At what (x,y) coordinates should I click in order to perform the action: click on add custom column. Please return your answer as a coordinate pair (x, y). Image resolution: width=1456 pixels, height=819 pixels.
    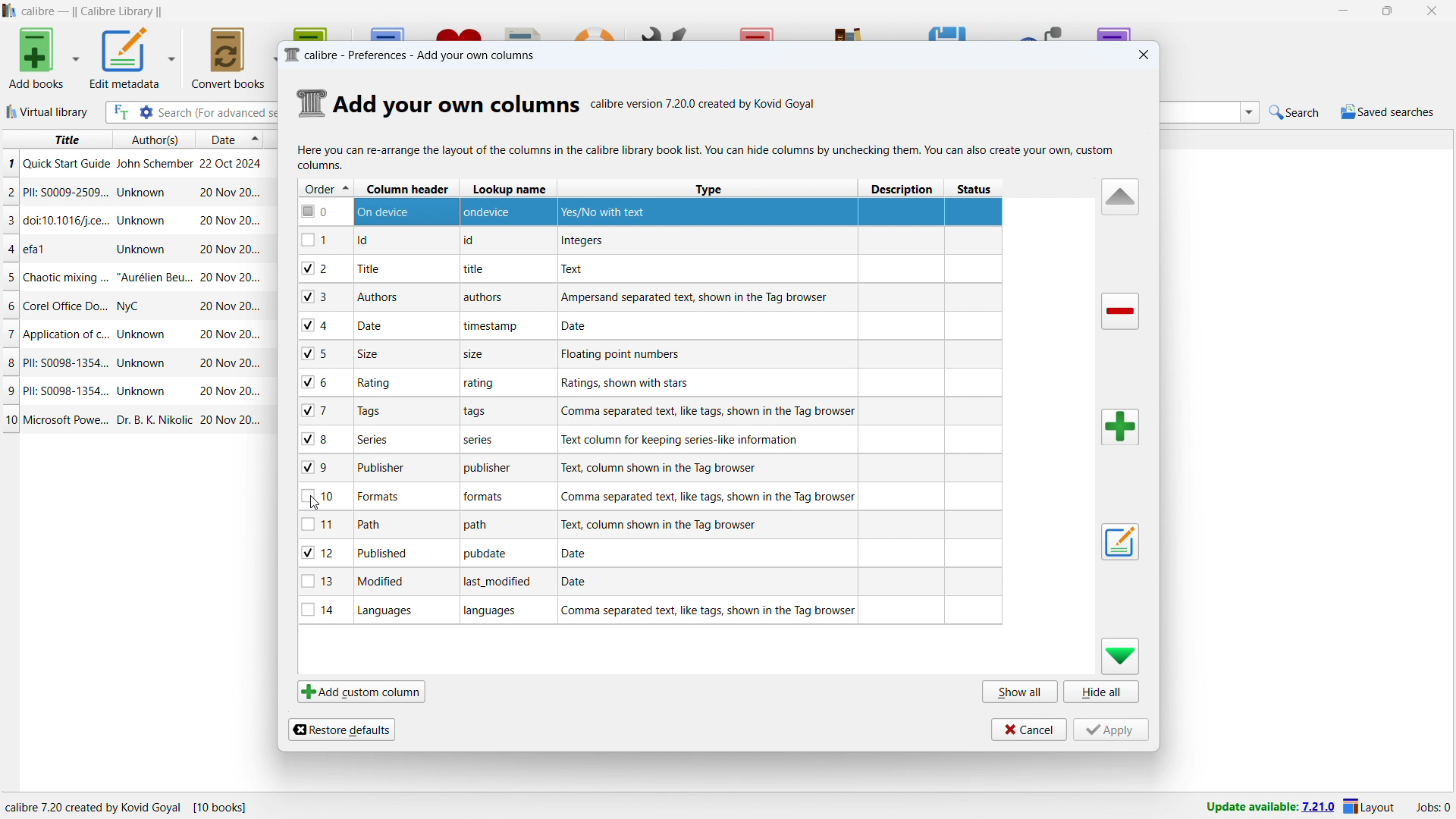
    Looking at the image, I should click on (362, 692).